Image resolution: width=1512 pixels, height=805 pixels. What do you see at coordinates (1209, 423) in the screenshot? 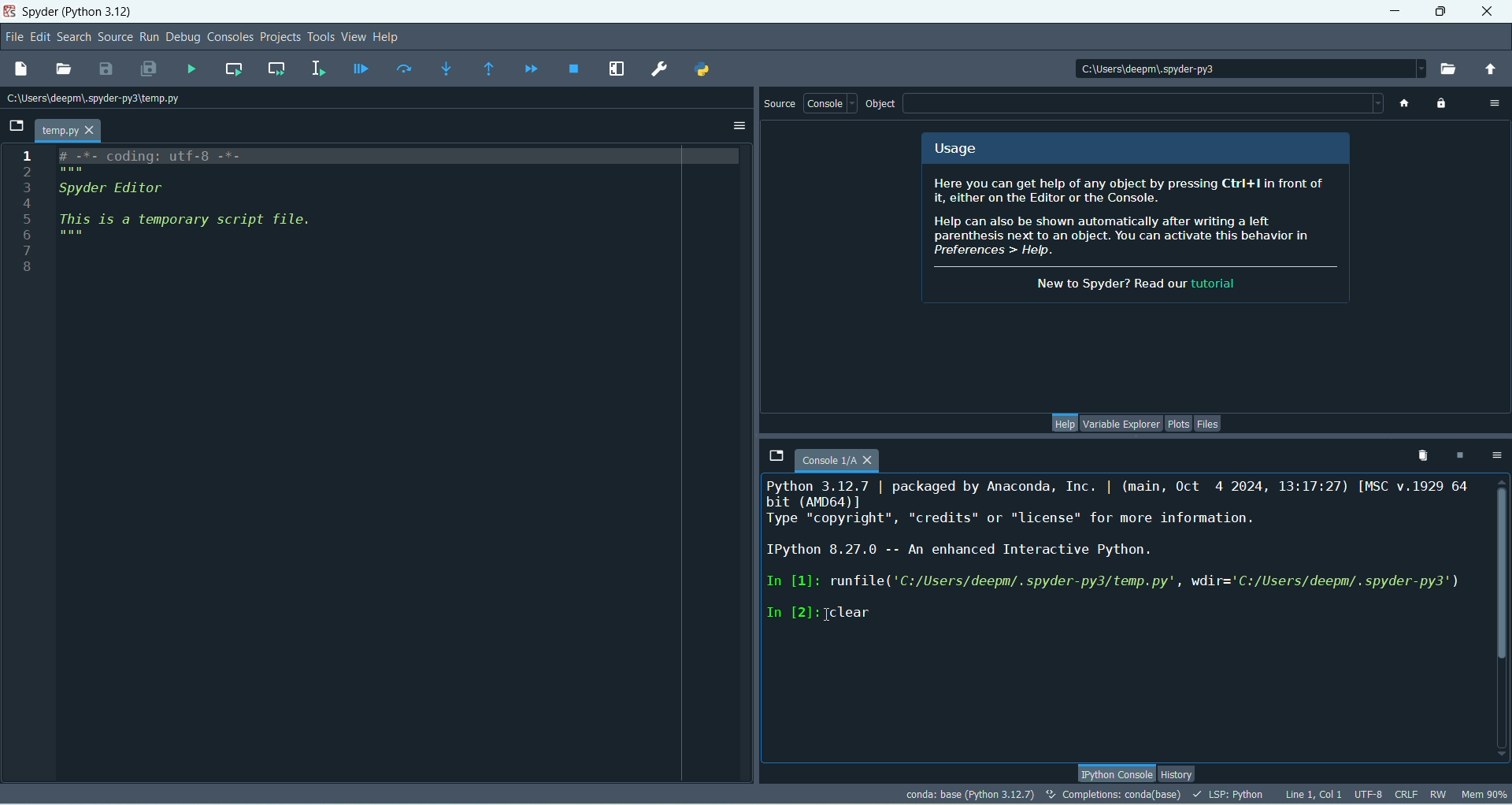
I see `files` at bounding box center [1209, 423].